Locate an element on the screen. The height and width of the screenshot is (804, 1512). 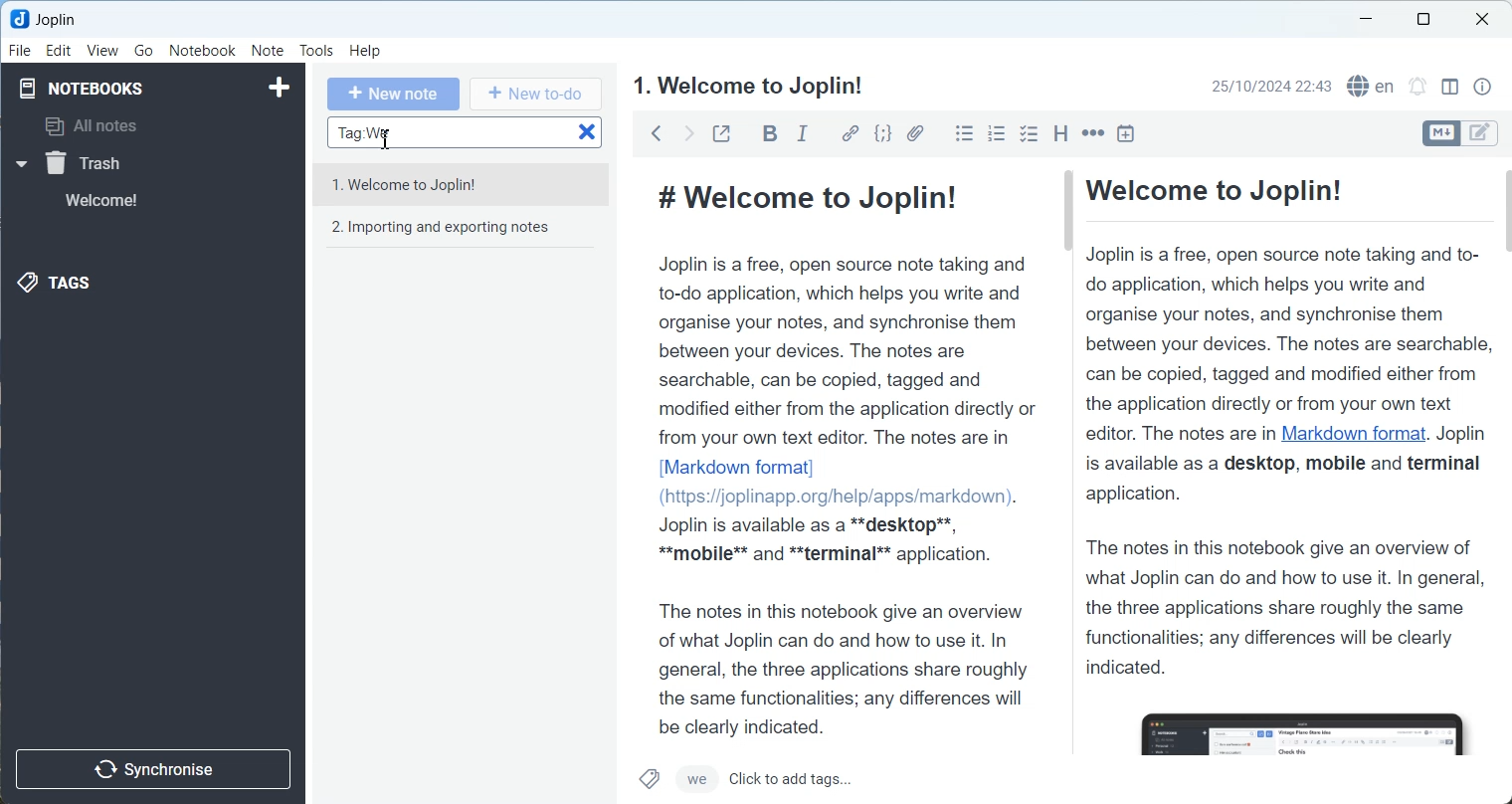
New to-do is located at coordinates (536, 95).